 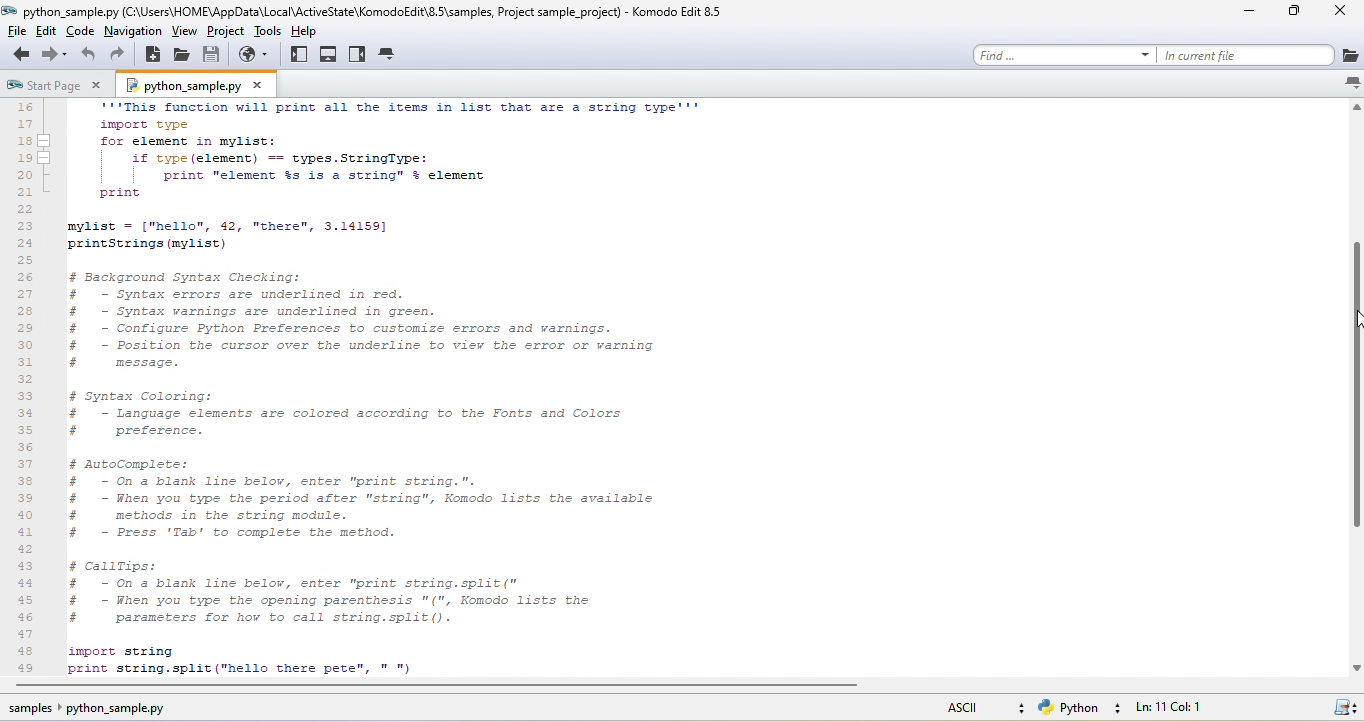 What do you see at coordinates (71, 11) in the screenshot?
I see `opened file name` at bounding box center [71, 11].